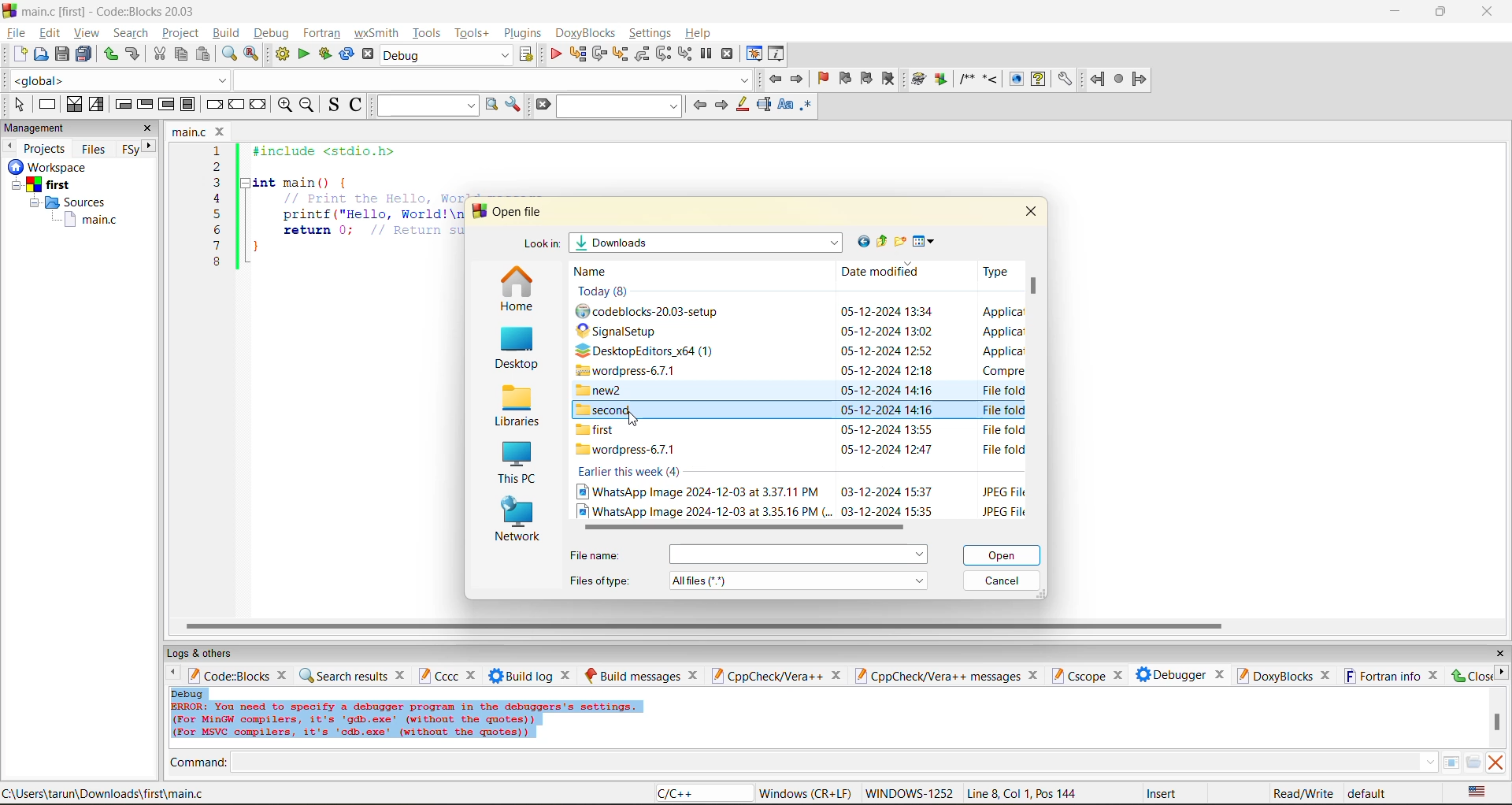 The height and width of the screenshot is (805, 1512). What do you see at coordinates (700, 33) in the screenshot?
I see `help` at bounding box center [700, 33].